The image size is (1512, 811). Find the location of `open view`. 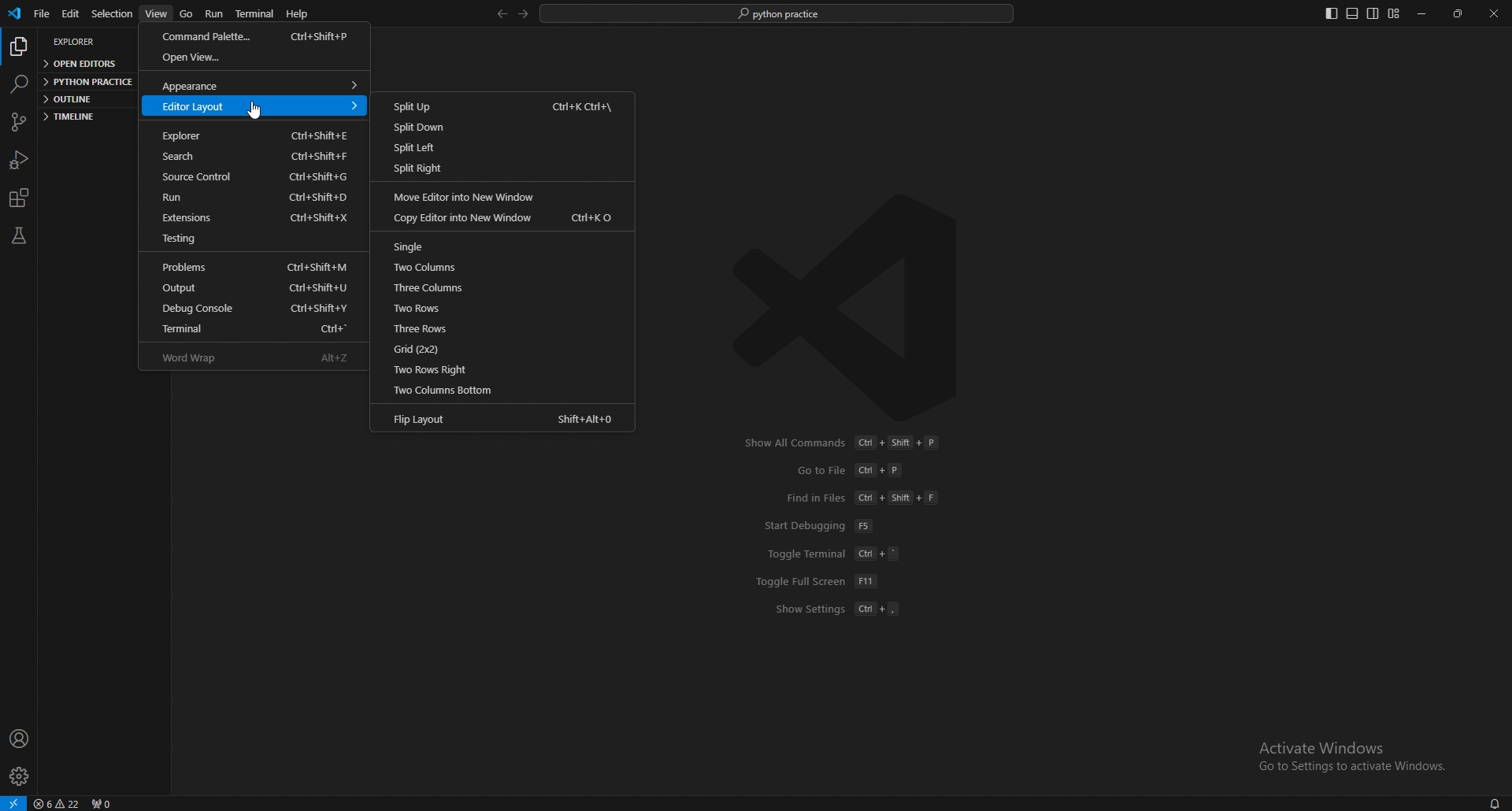

open view is located at coordinates (250, 58).